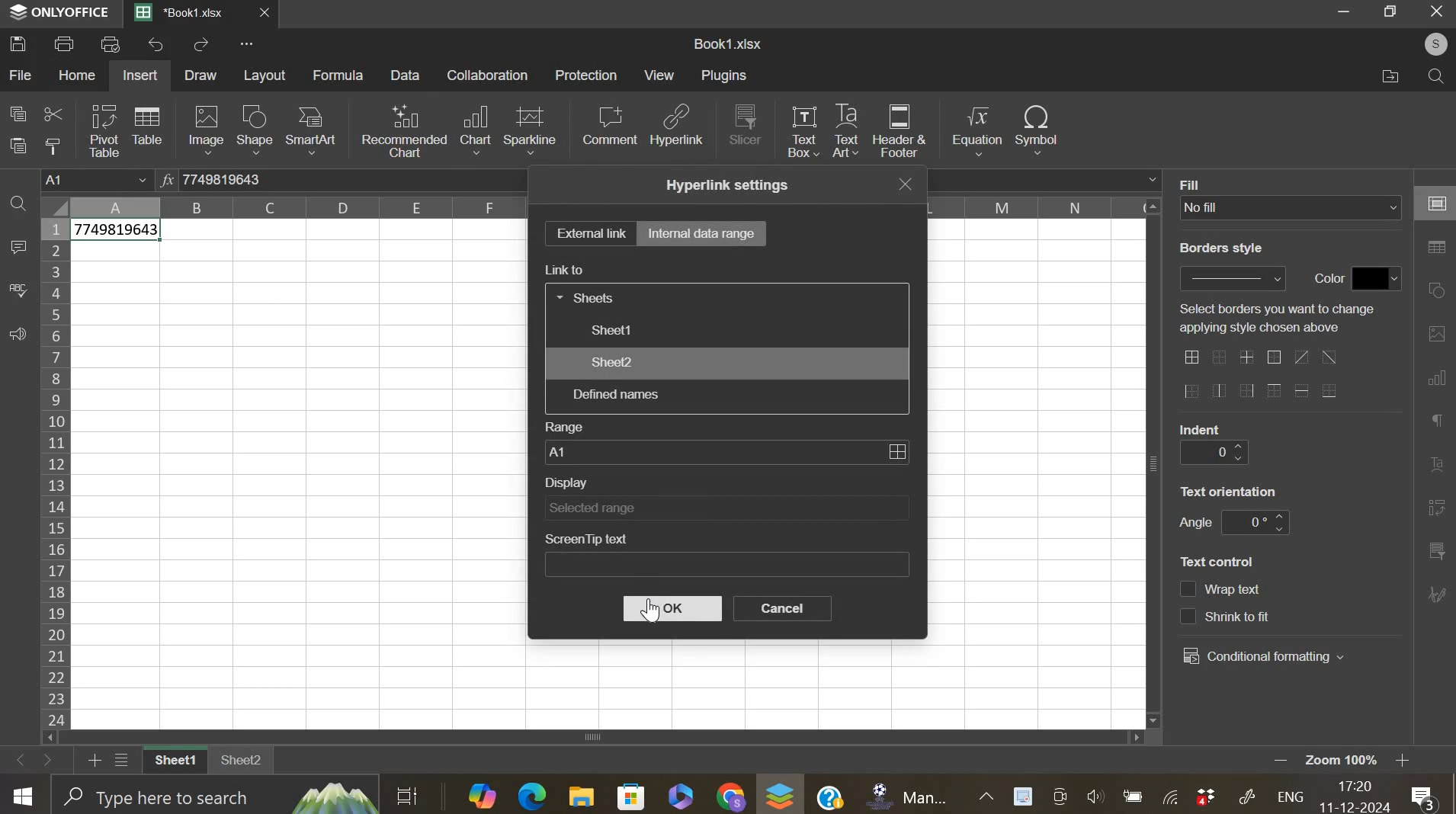  Describe the element at coordinates (845, 131) in the screenshot. I see `text art` at that location.